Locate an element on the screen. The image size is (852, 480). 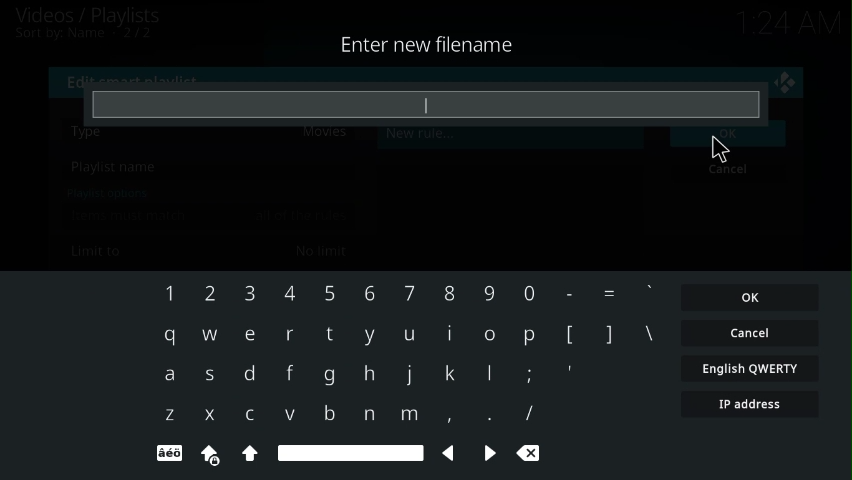
. is located at coordinates (488, 415).